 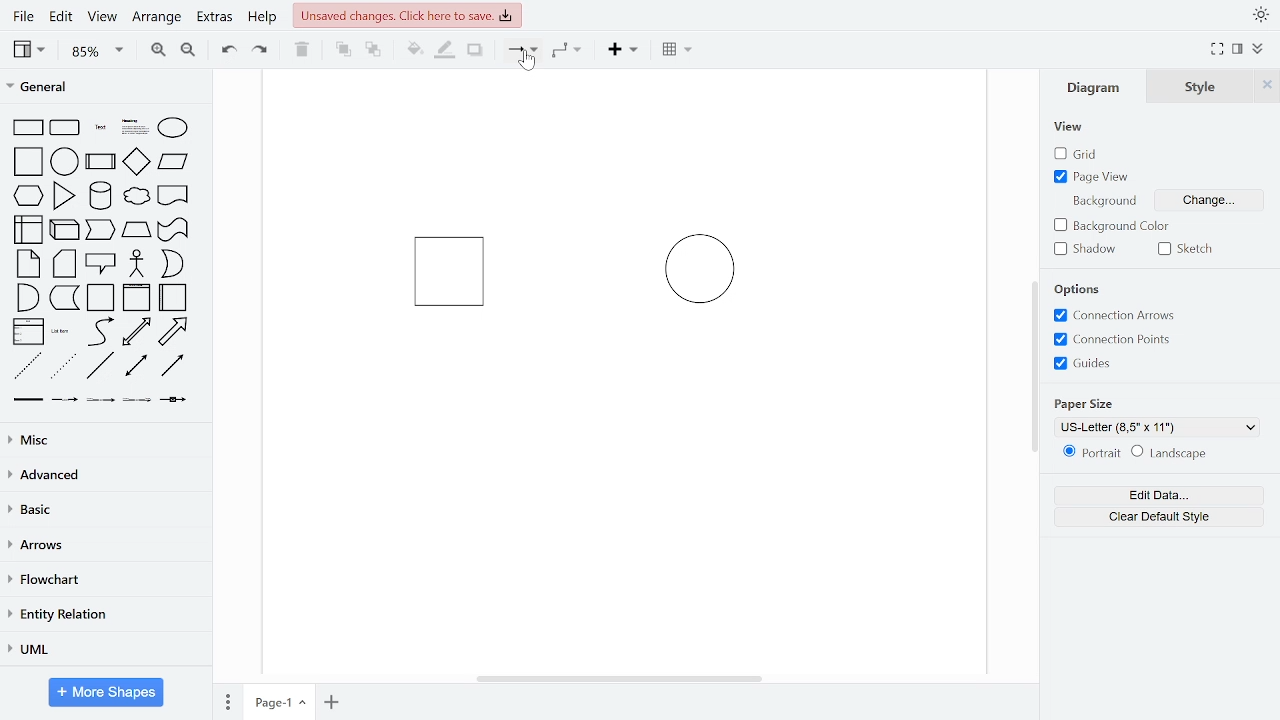 I want to click on fill color, so click(x=415, y=50).